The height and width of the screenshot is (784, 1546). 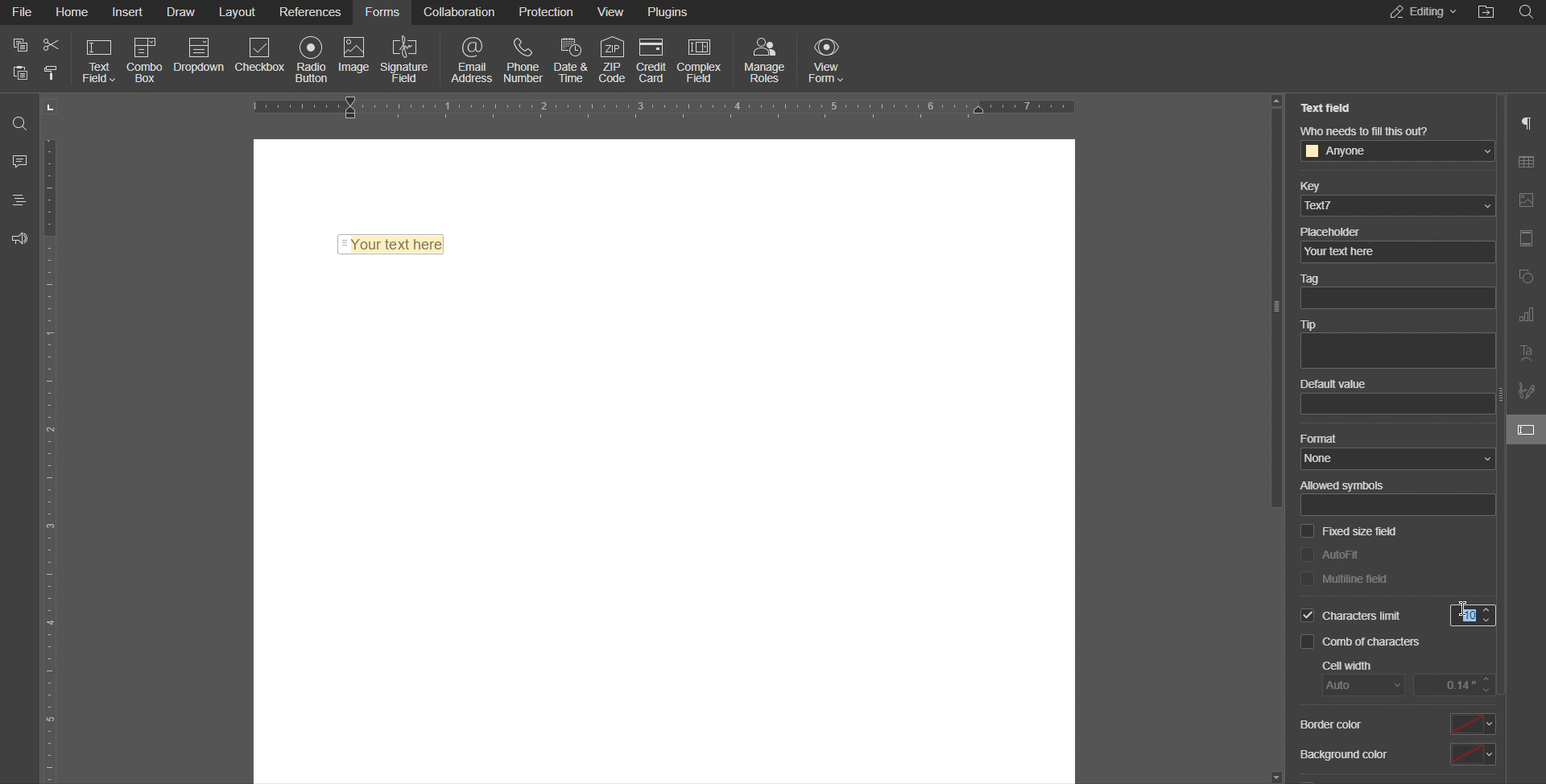 I want to click on Tag, so click(x=1395, y=293).